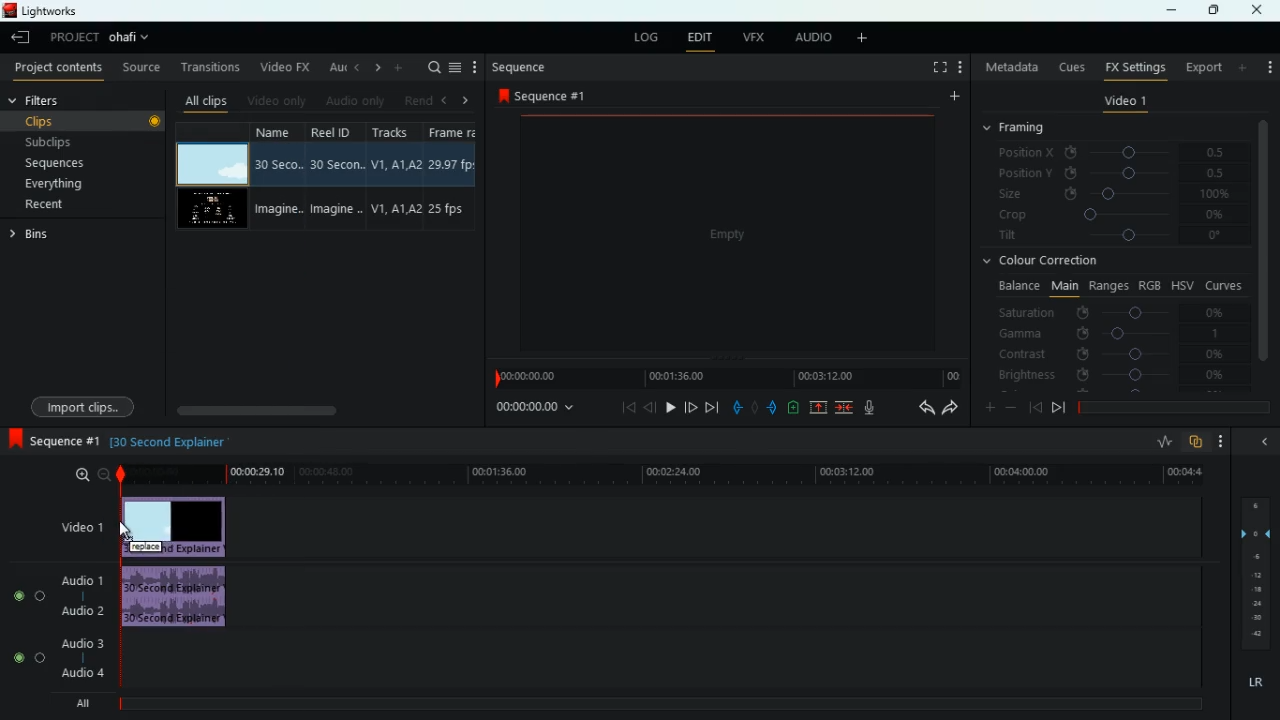 This screenshot has height=720, width=1280. What do you see at coordinates (751, 37) in the screenshot?
I see `vfx` at bounding box center [751, 37].